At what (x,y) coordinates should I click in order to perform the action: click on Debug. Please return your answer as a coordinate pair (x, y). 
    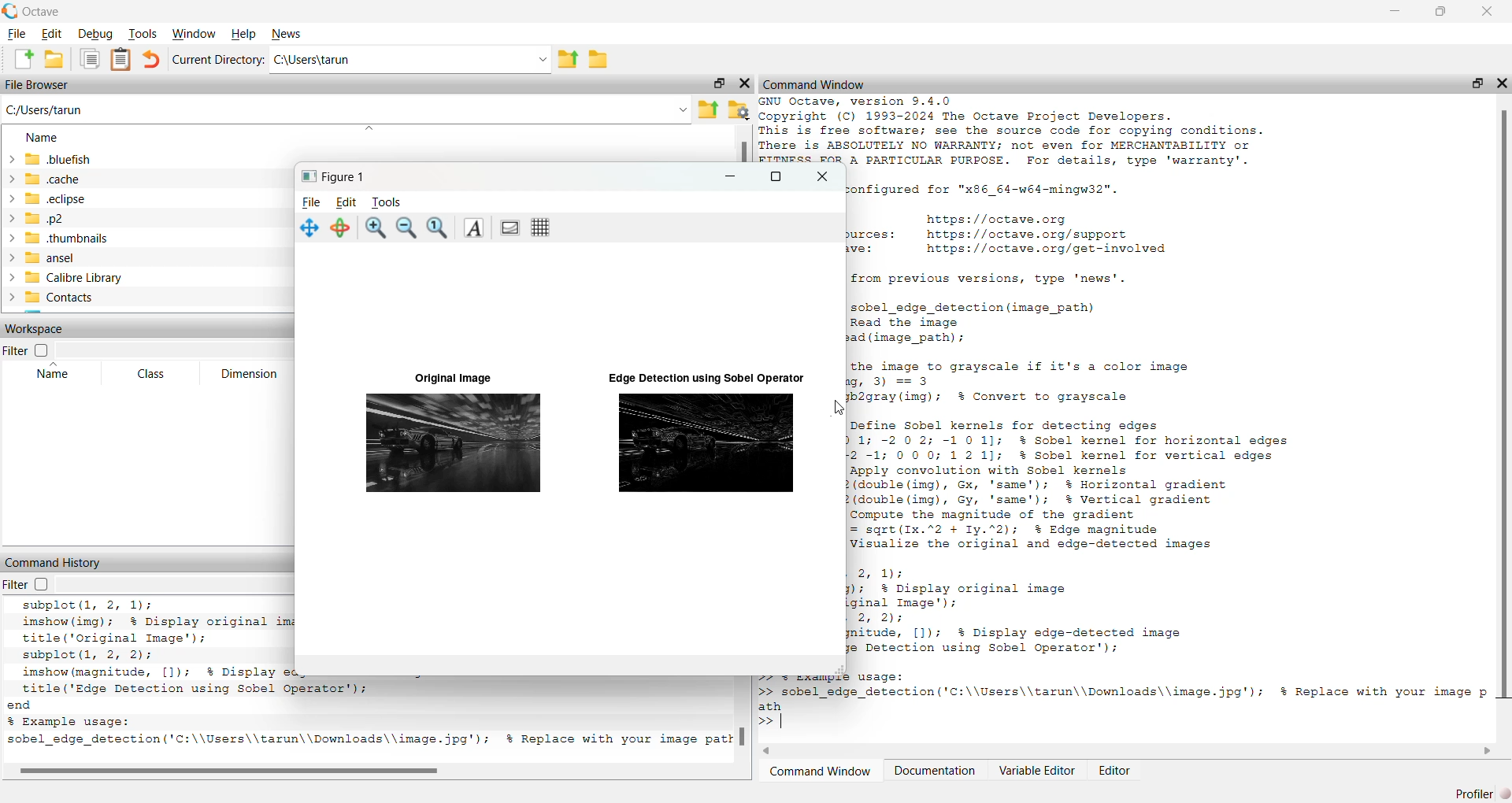
    Looking at the image, I should click on (94, 35).